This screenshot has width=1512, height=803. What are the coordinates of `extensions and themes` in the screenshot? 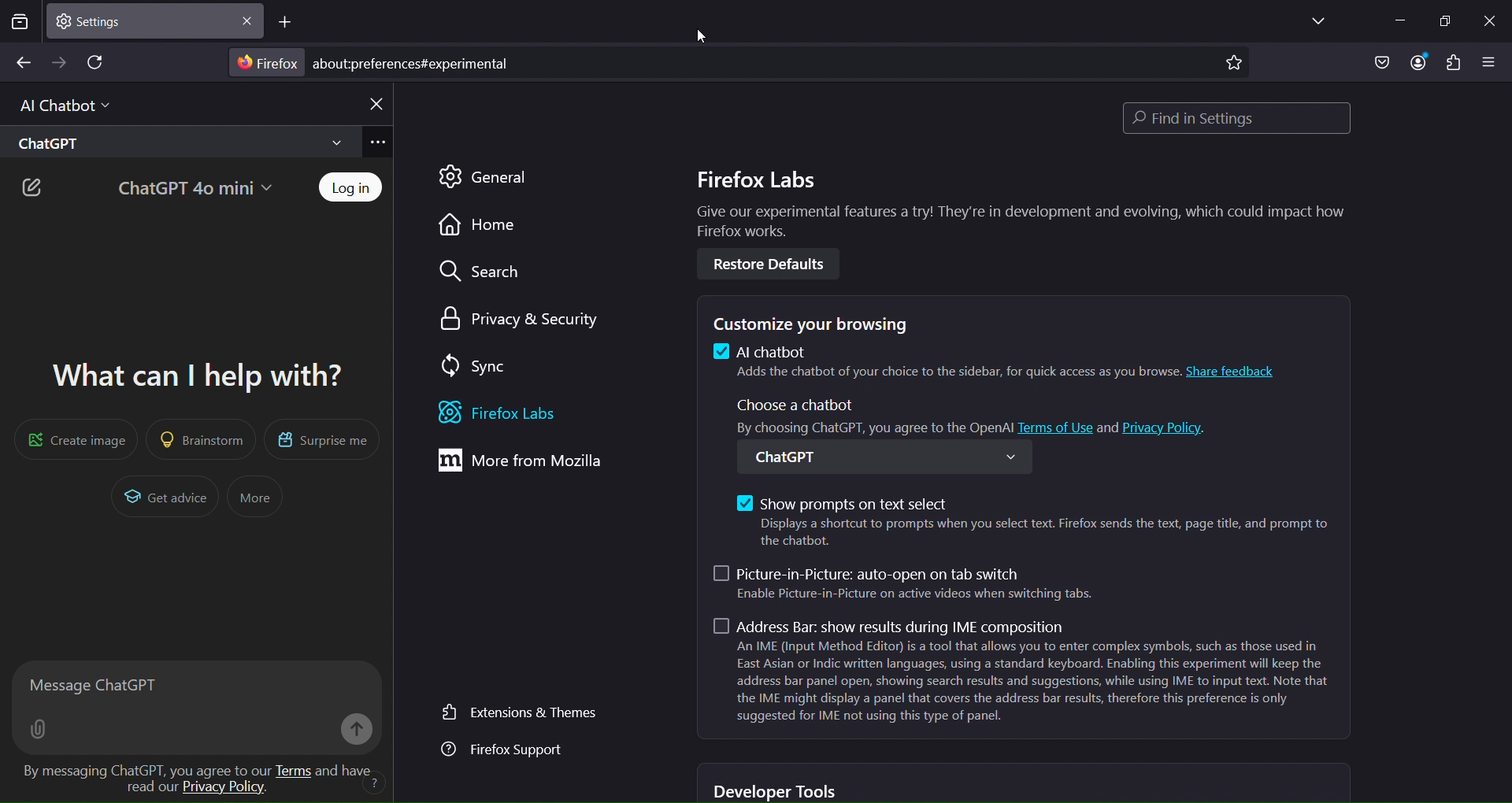 It's located at (521, 713).